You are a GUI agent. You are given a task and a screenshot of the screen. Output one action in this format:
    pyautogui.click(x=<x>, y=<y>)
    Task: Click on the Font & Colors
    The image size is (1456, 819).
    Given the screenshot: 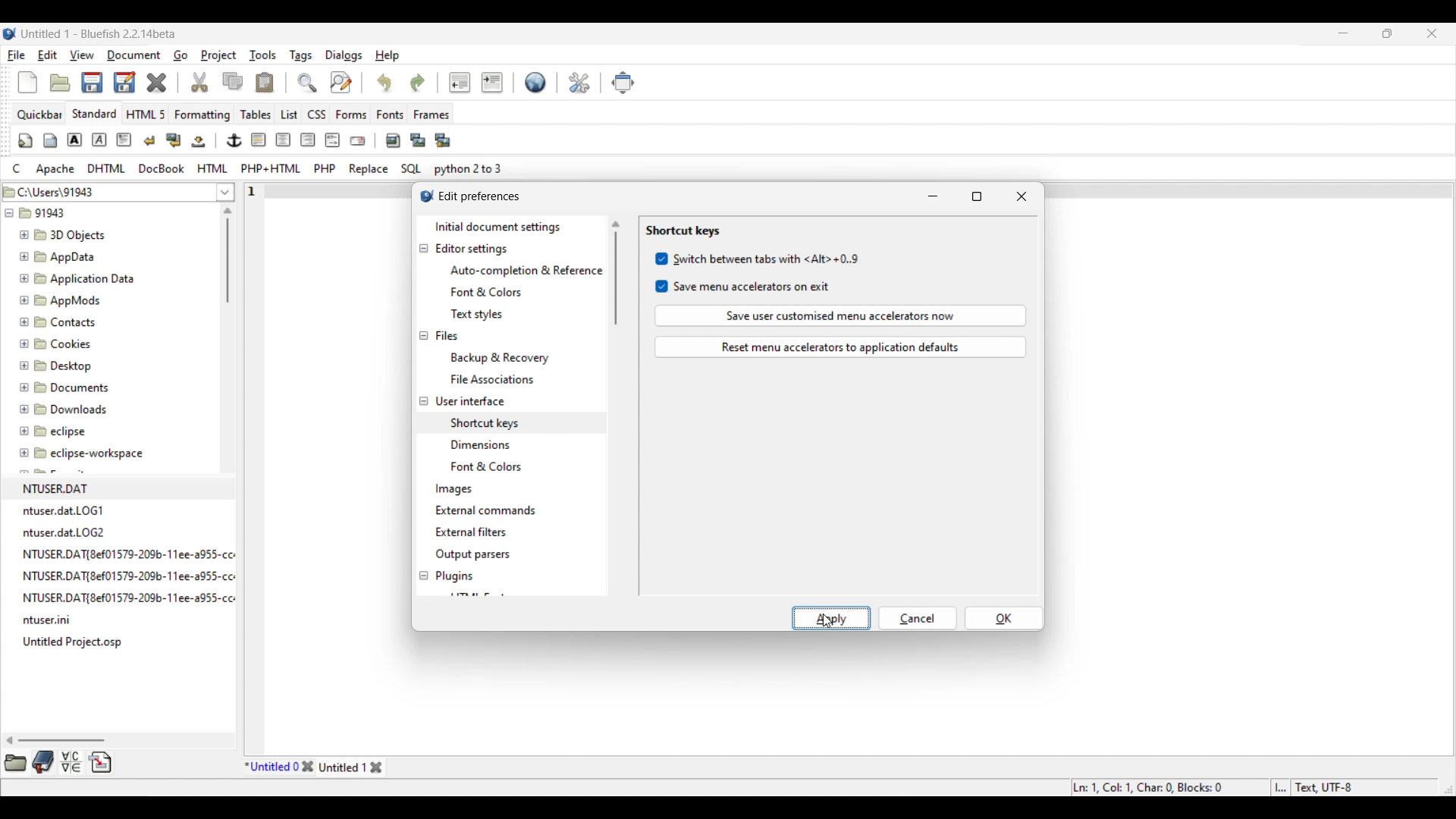 What is the action you would take?
    pyautogui.click(x=492, y=467)
    